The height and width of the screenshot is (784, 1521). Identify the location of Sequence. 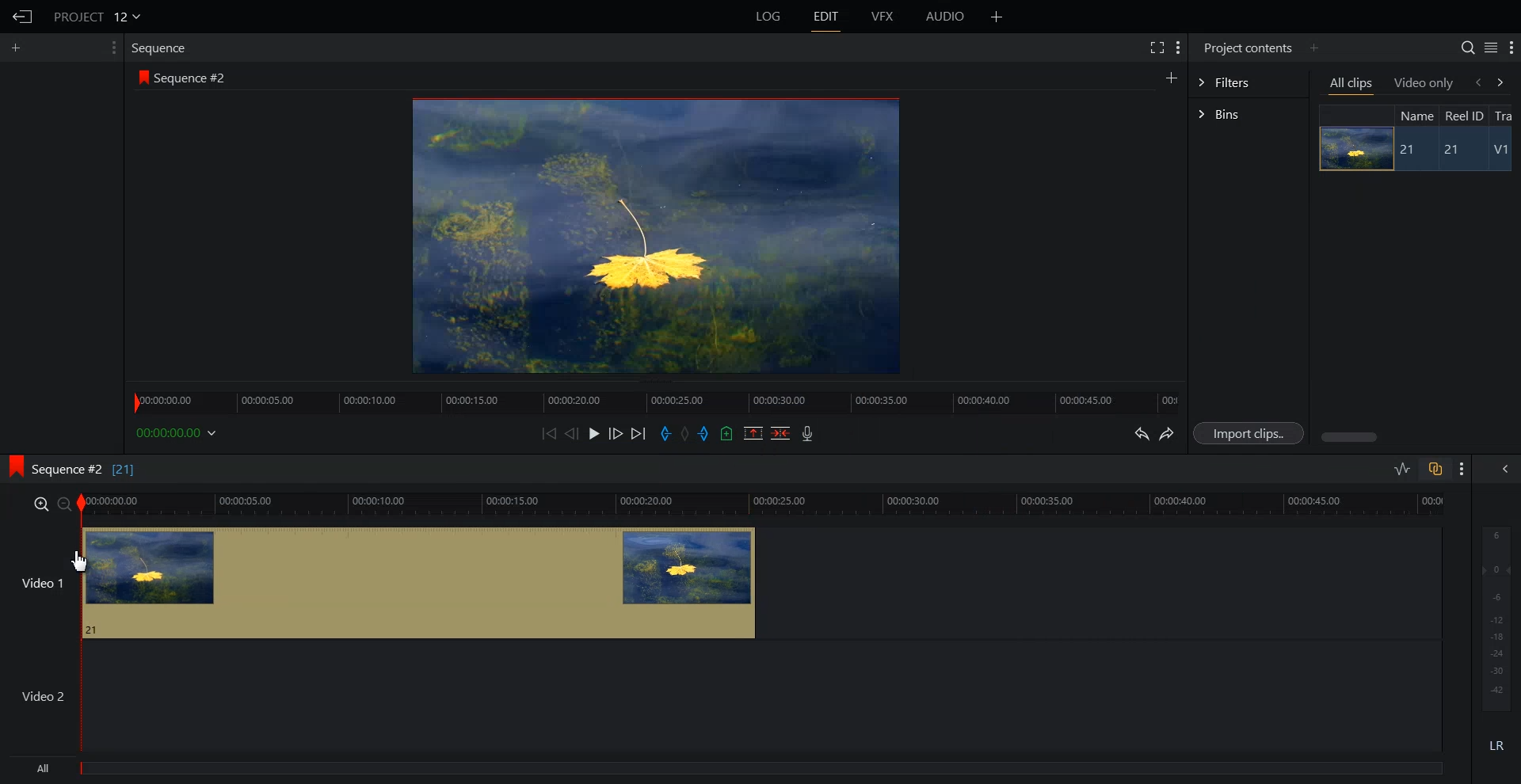
(162, 48).